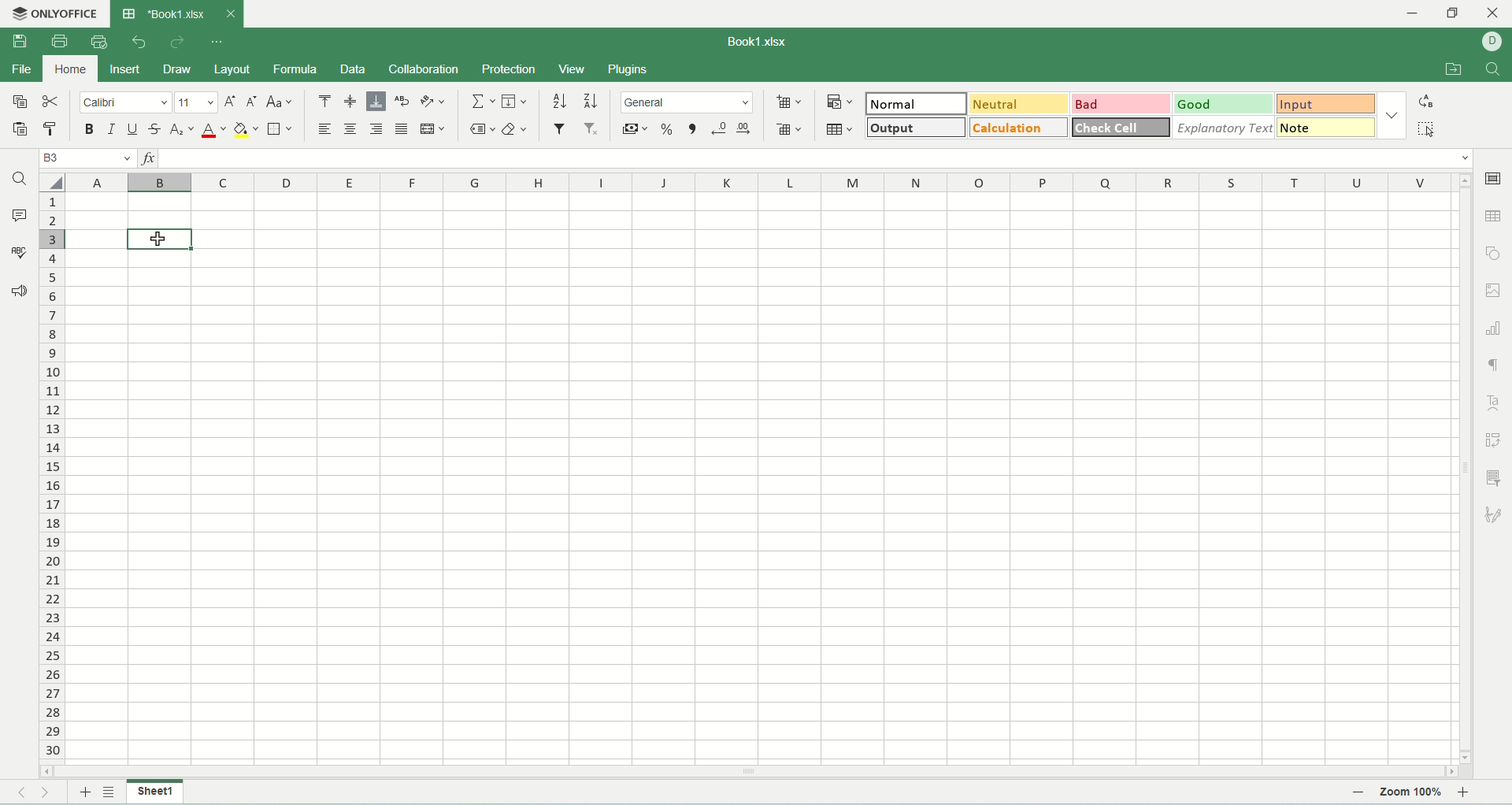 The image size is (1512, 805). Describe the element at coordinates (322, 101) in the screenshot. I see `align top` at that location.